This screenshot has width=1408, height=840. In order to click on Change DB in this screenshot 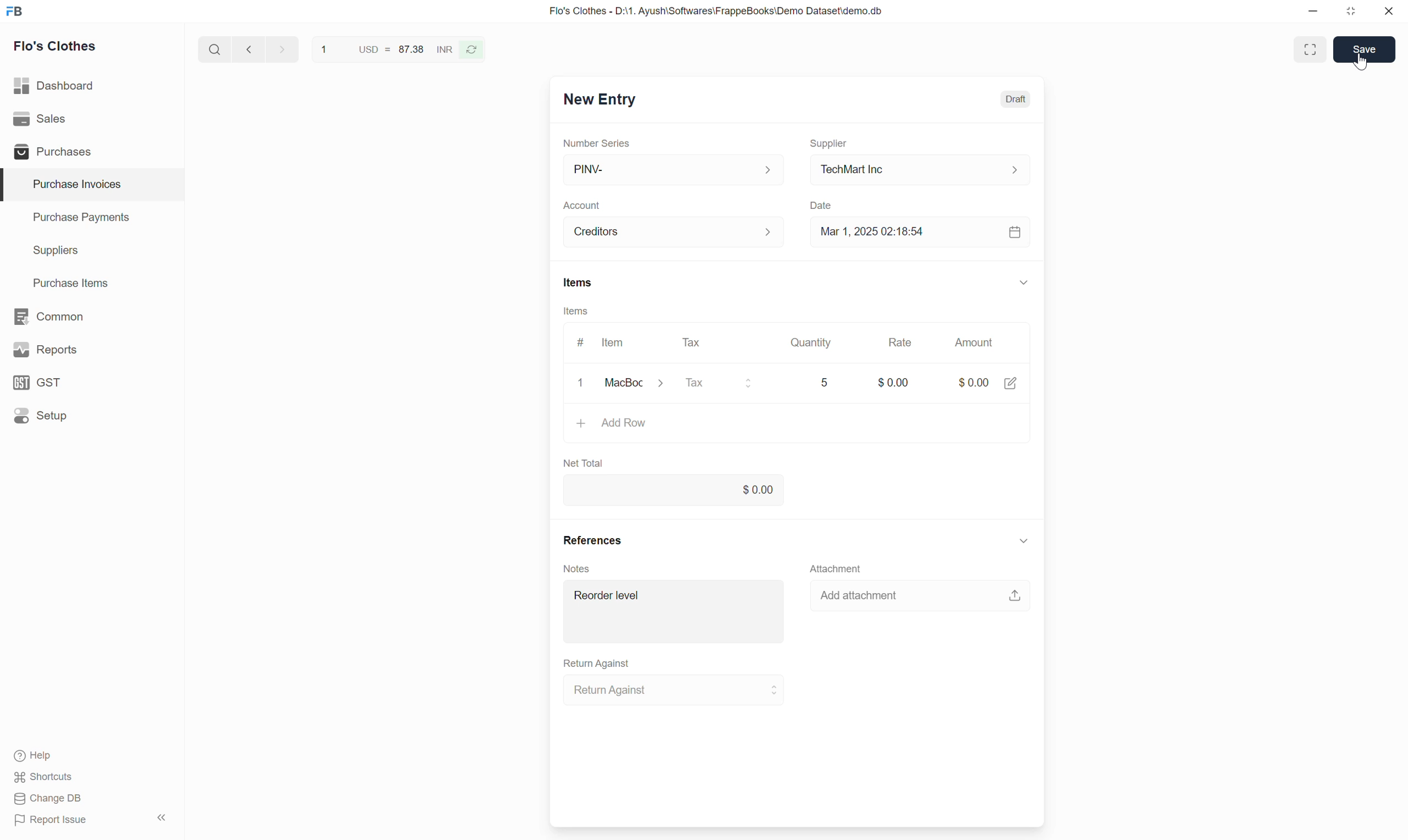, I will do `click(49, 798)`.